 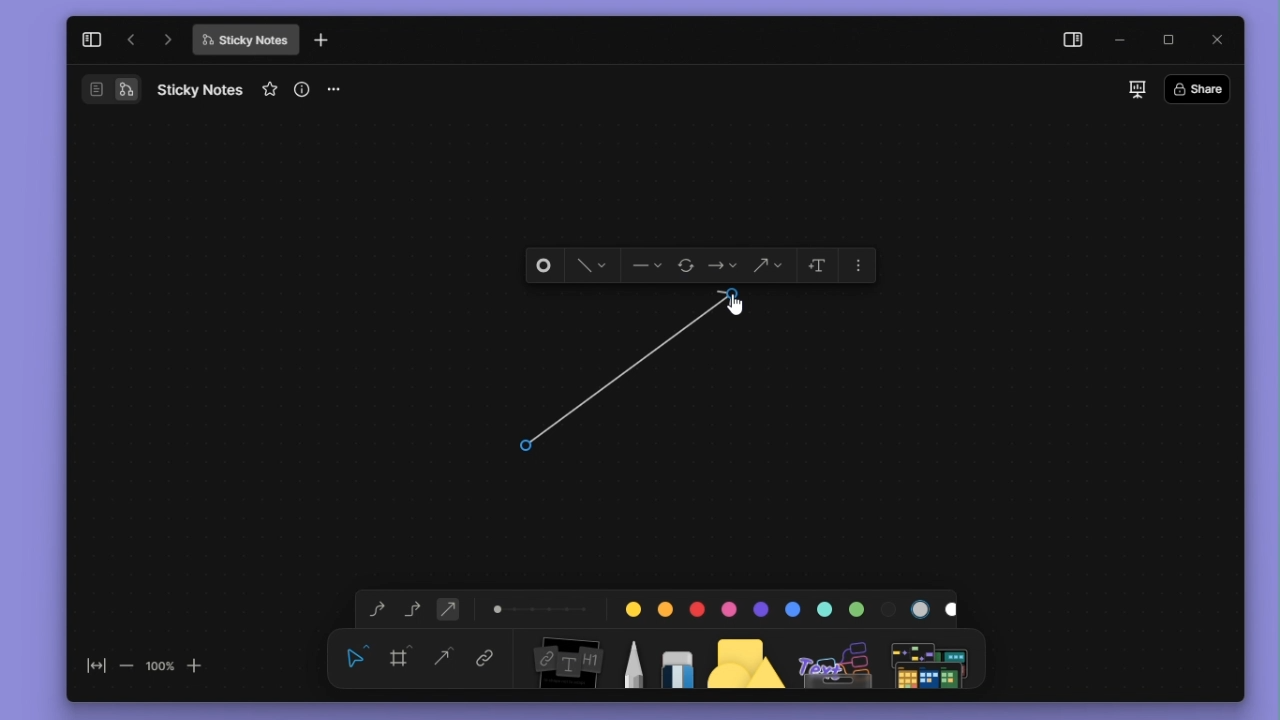 I want to click on stroke style, so click(x=545, y=266).